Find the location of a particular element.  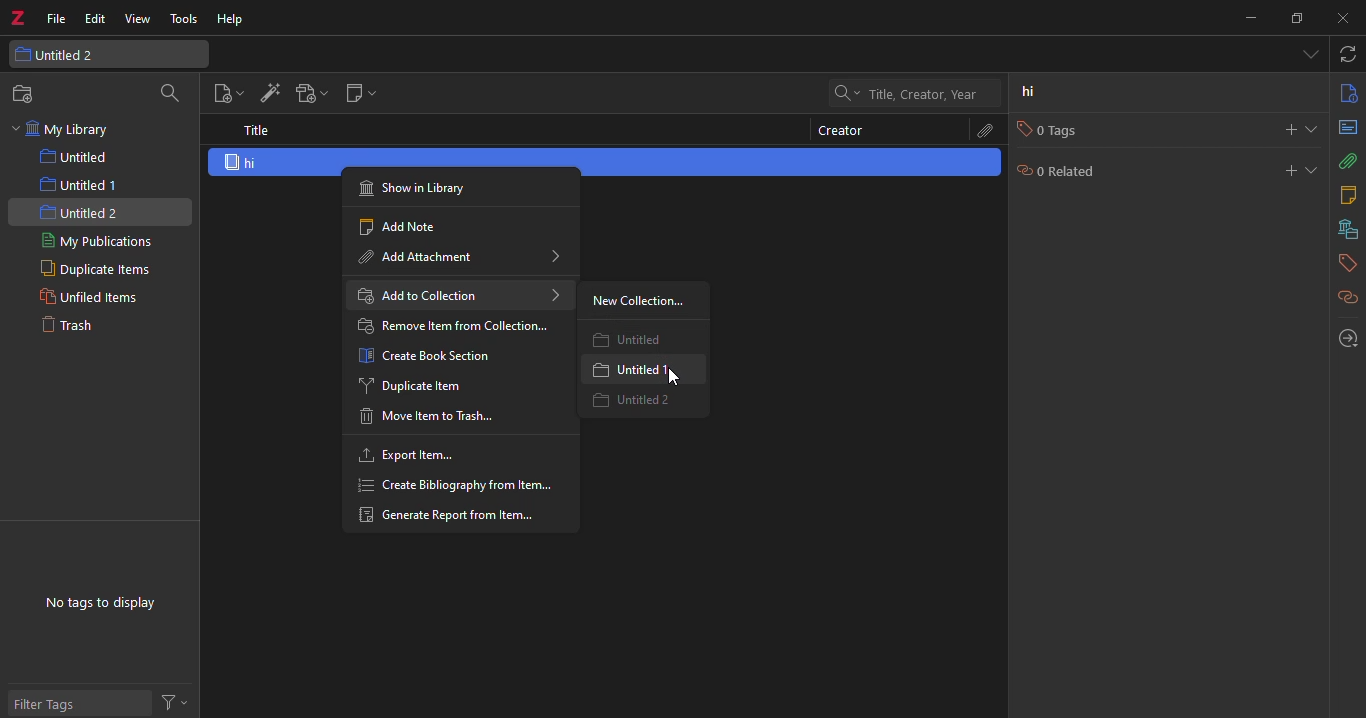

close is located at coordinates (1342, 17).